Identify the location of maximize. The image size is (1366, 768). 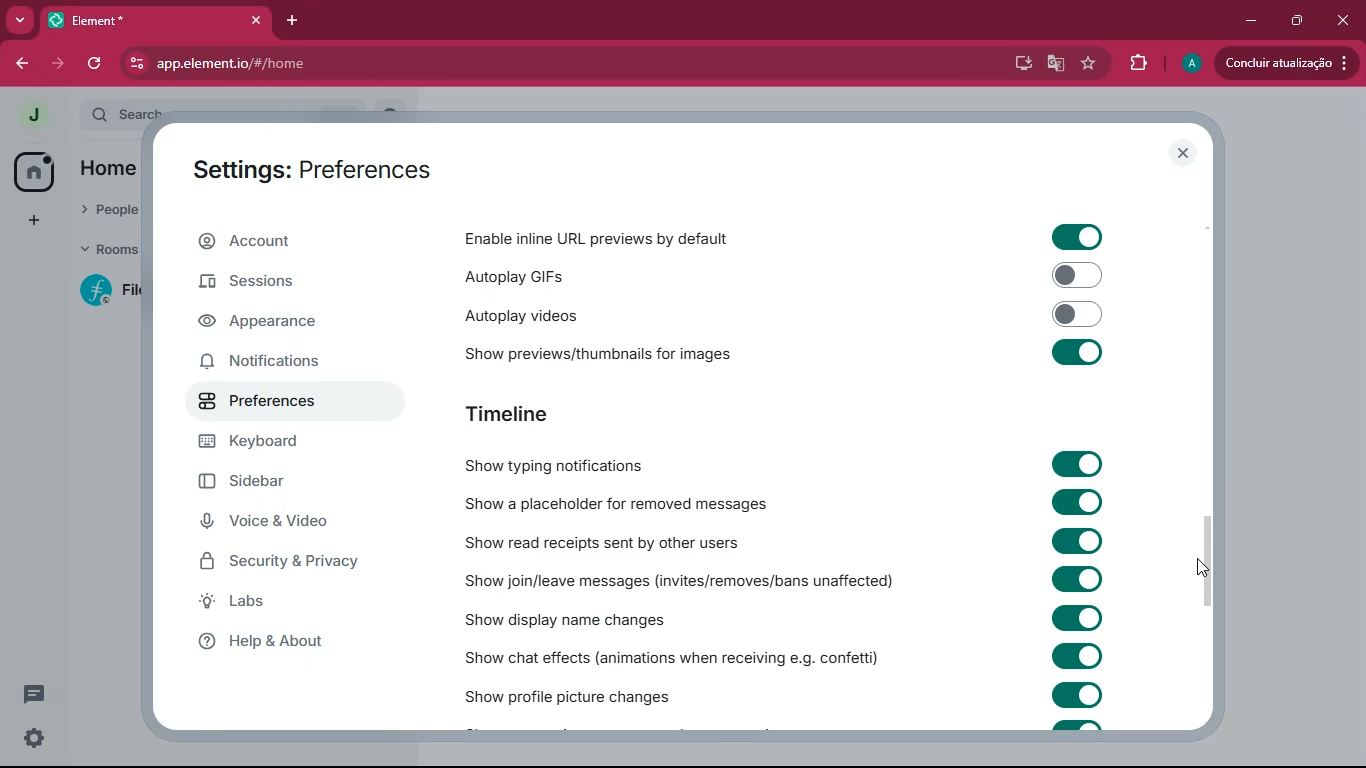
(1293, 21).